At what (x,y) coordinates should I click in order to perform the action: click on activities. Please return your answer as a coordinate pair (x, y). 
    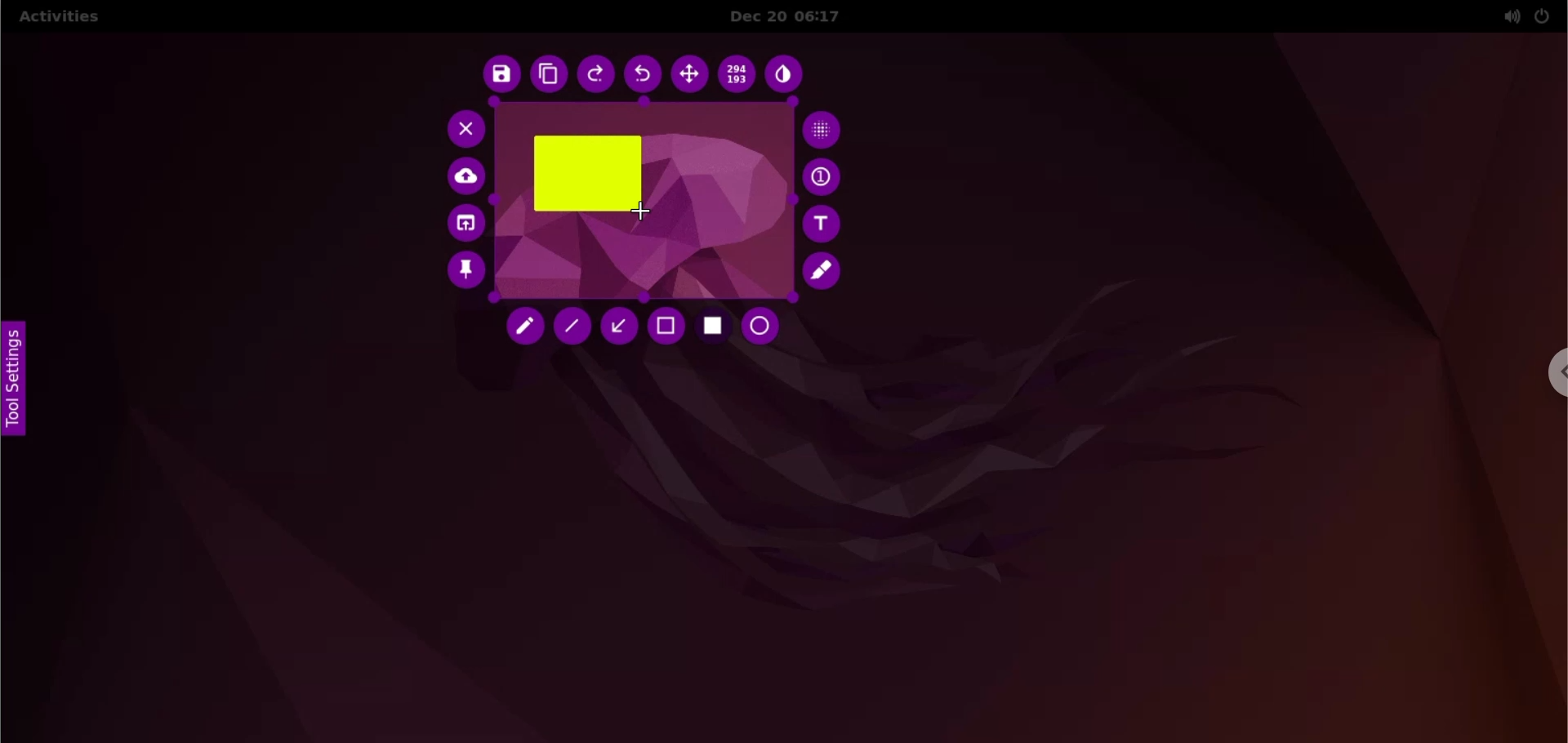
    Looking at the image, I should click on (58, 19).